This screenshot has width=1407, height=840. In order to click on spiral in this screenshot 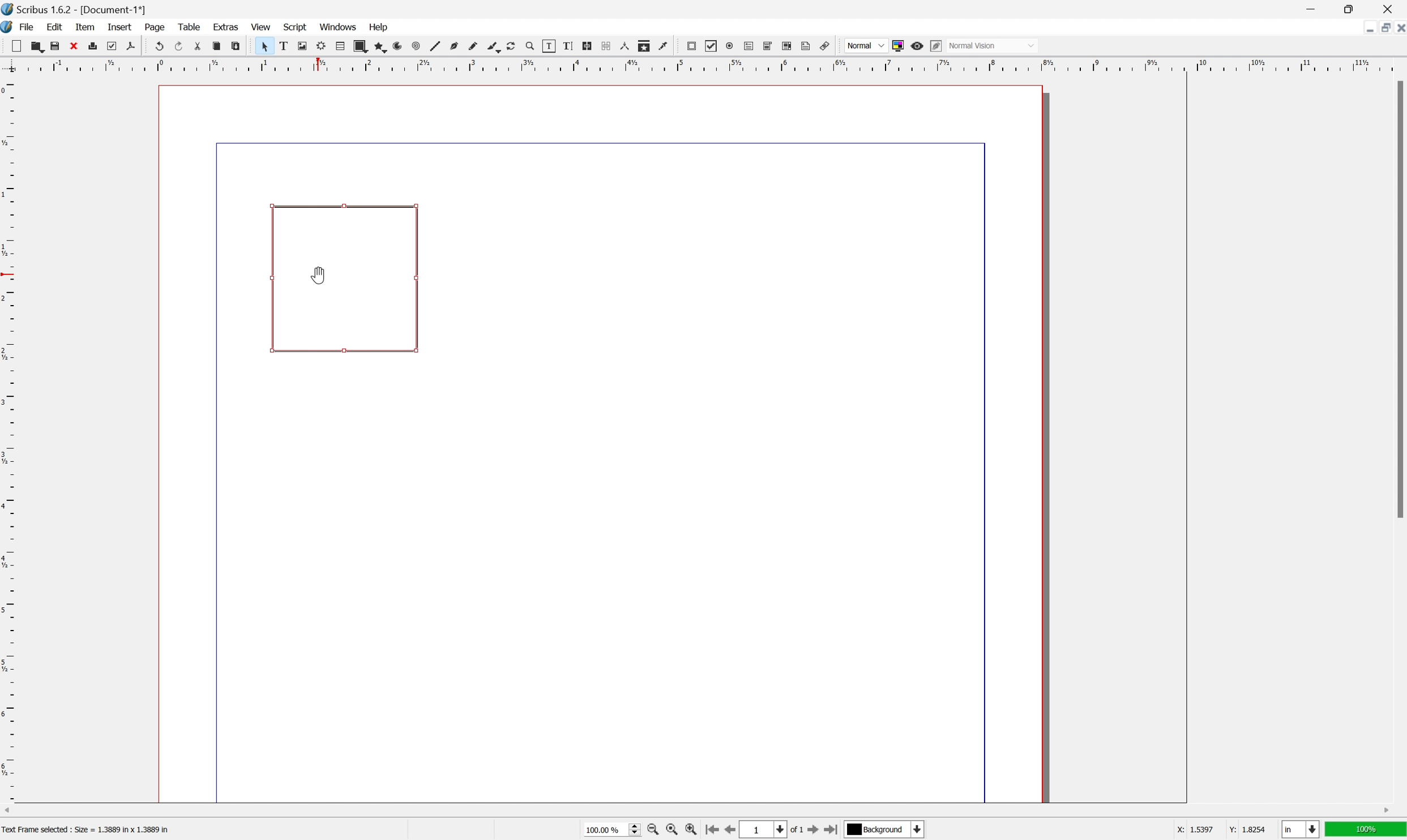, I will do `click(401, 46)`.